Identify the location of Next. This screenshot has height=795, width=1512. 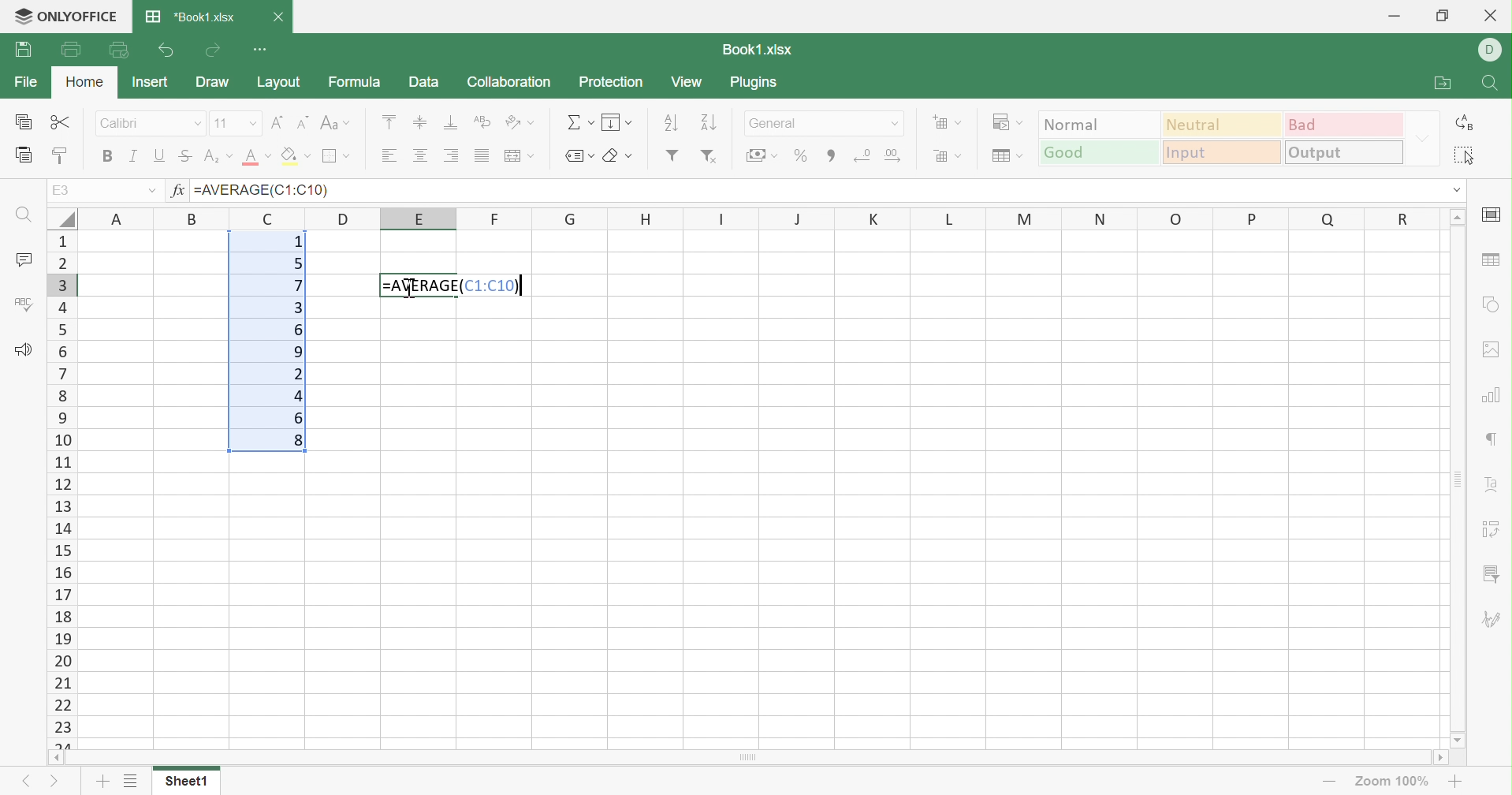
(56, 782).